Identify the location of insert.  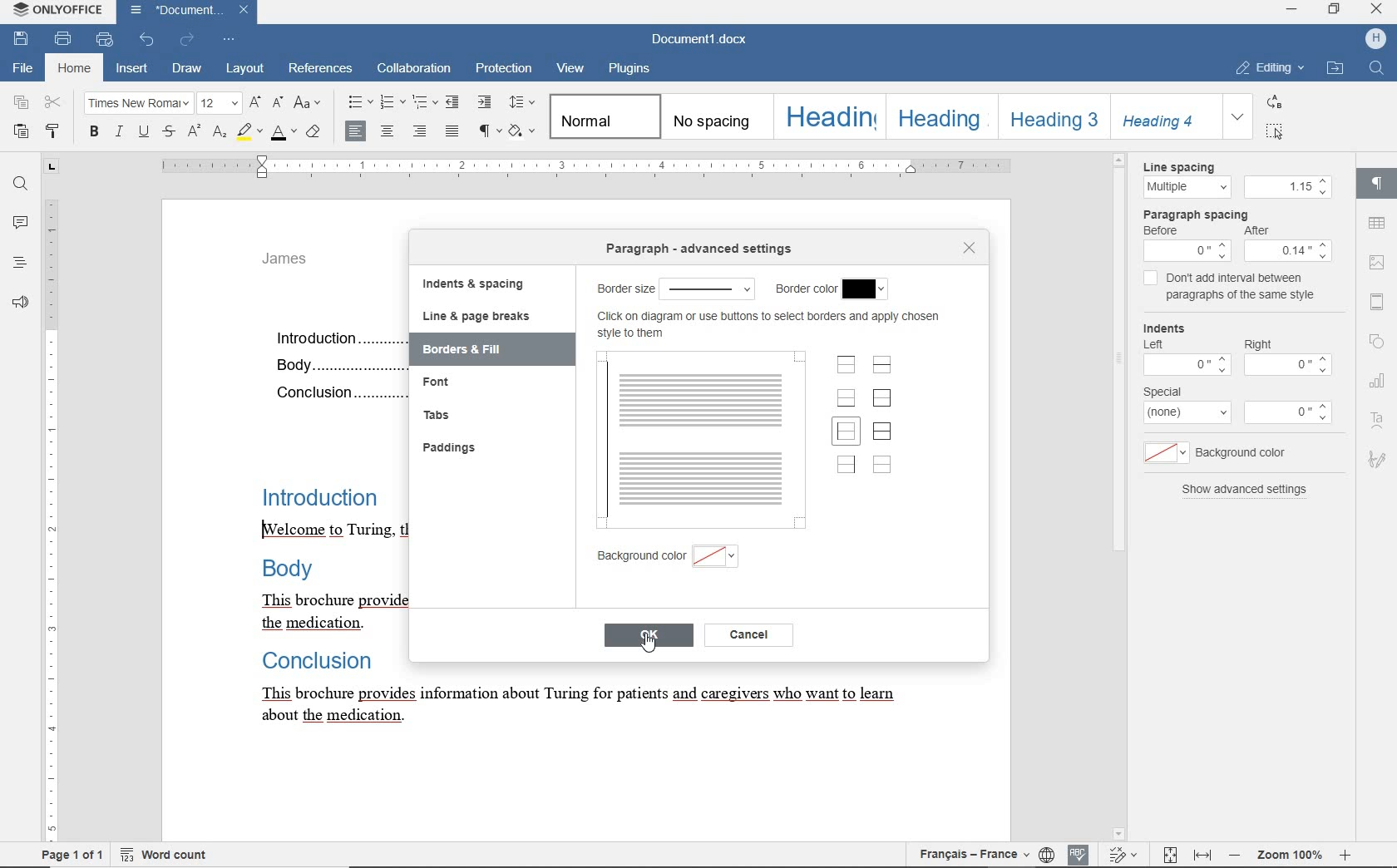
(132, 68).